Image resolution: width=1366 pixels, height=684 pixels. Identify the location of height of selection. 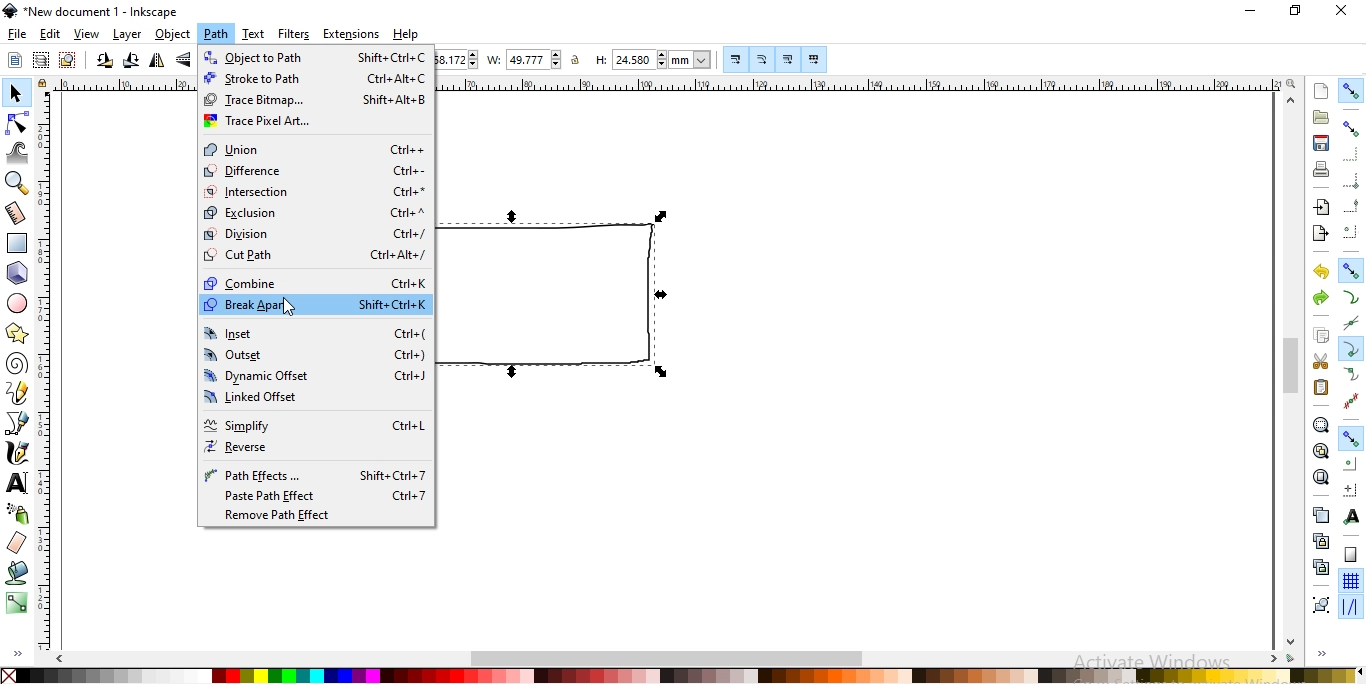
(651, 58).